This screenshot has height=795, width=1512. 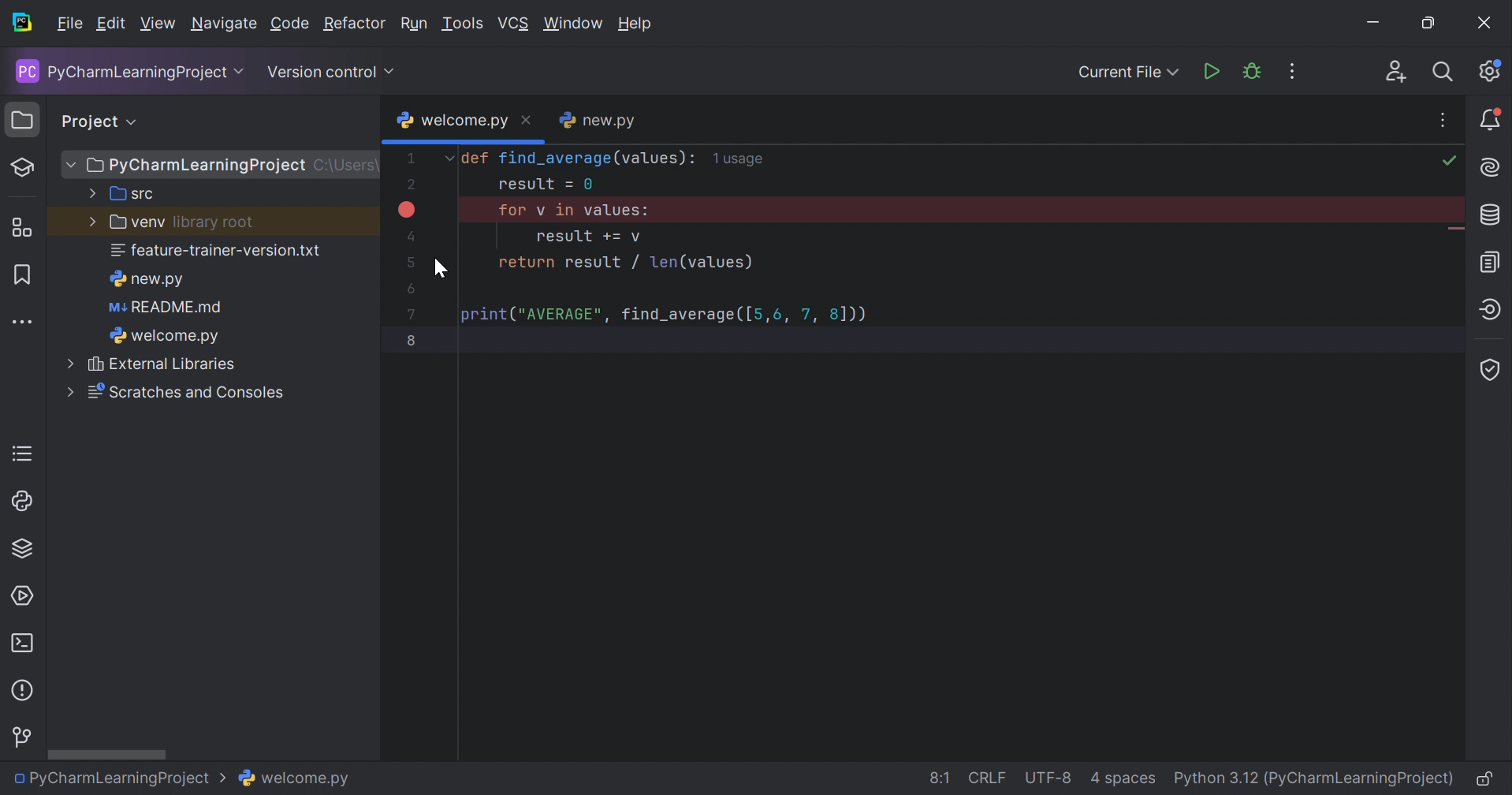 I want to click on Version Control, so click(x=328, y=74).